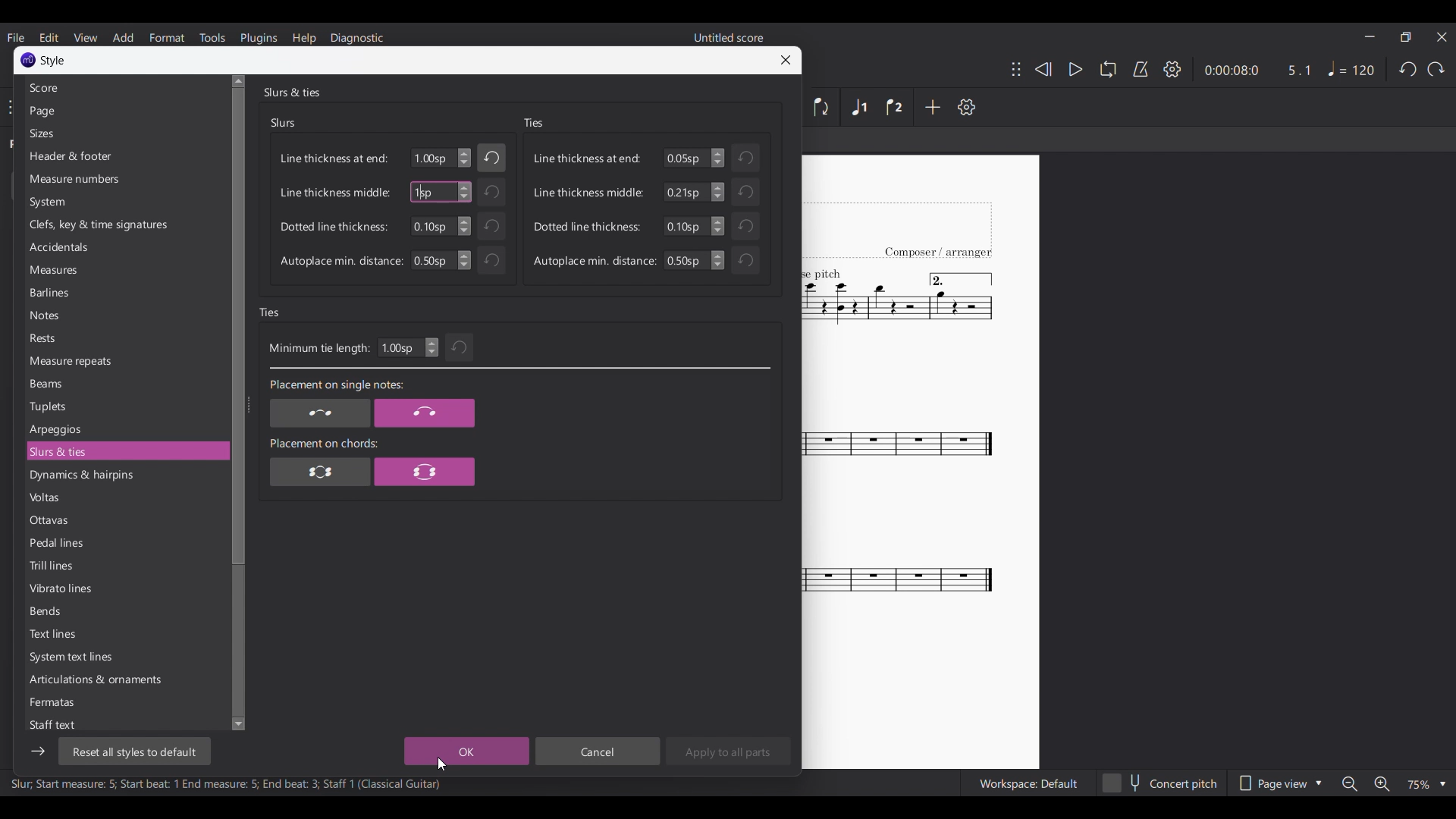  Describe the element at coordinates (124, 406) in the screenshot. I see `Tuplets` at that location.